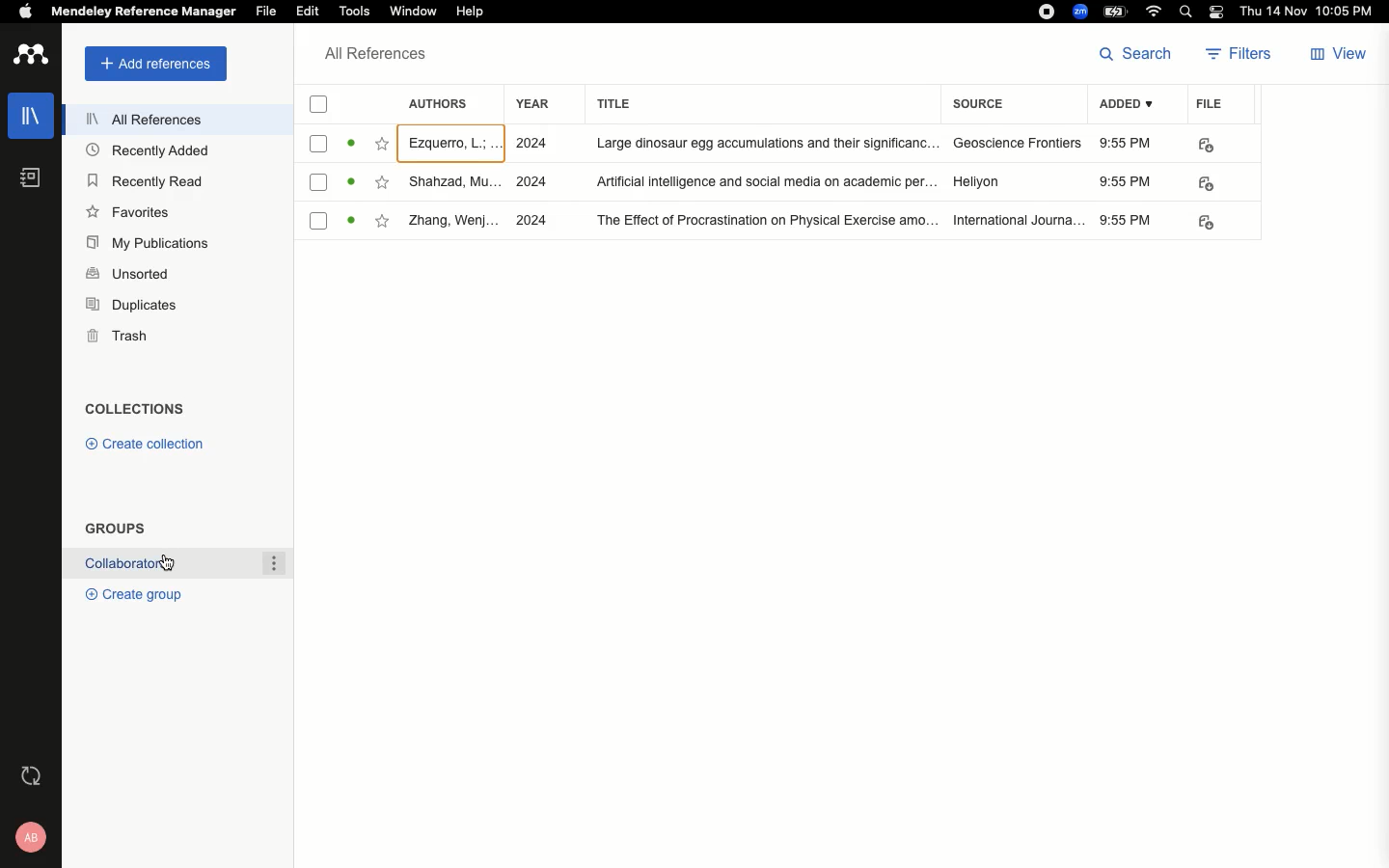 Image resolution: width=1389 pixels, height=868 pixels. What do you see at coordinates (147, 443) in the screenshot?
I see `Create collection` at bounding box center [147, 443].